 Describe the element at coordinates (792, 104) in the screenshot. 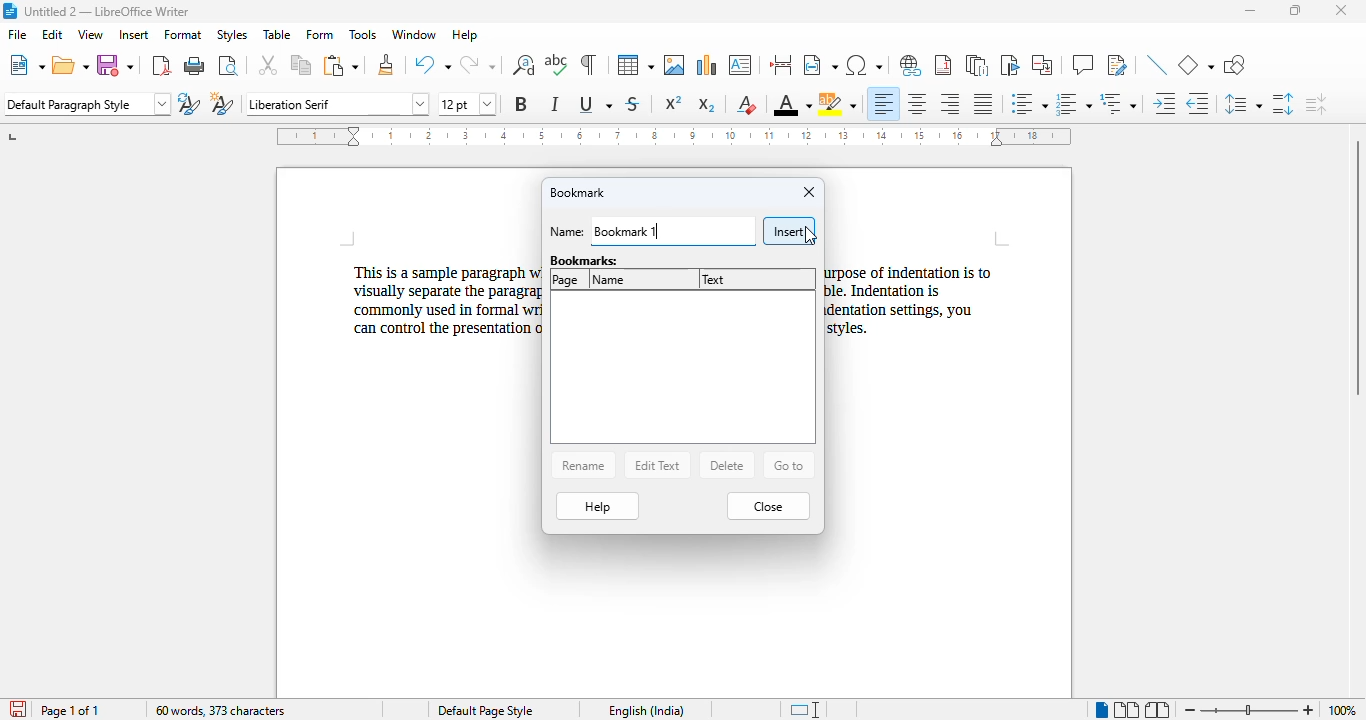

I see `font color` at that location.